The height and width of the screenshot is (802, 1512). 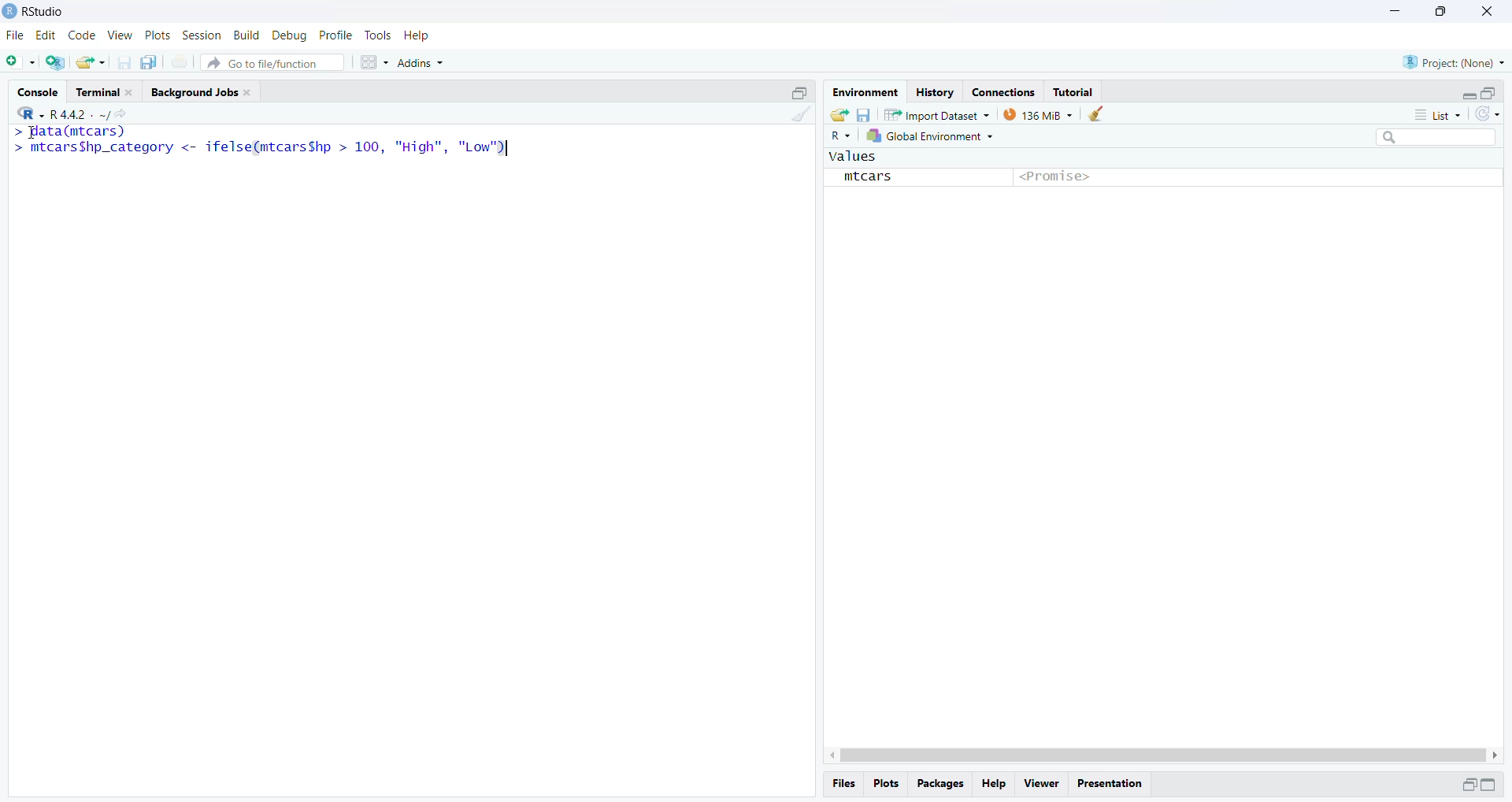 I want to click on File, so click(x=17, y=35).